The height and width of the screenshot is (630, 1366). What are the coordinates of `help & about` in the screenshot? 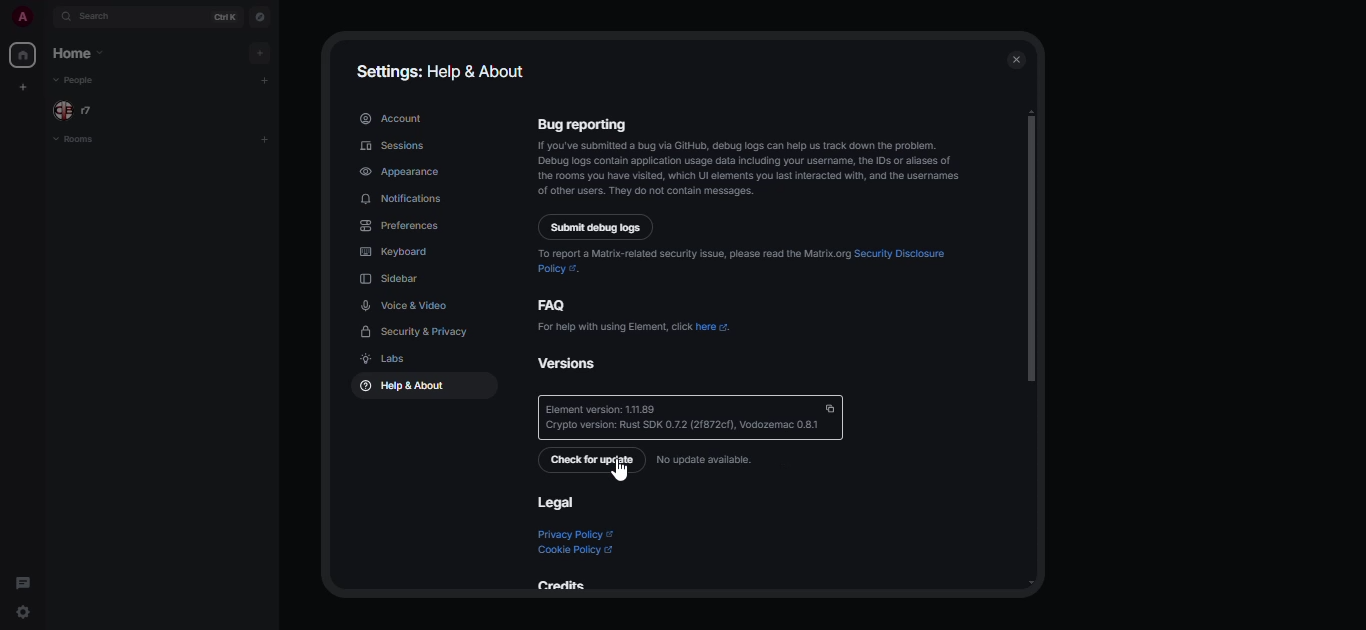 It's located at (399, 387).